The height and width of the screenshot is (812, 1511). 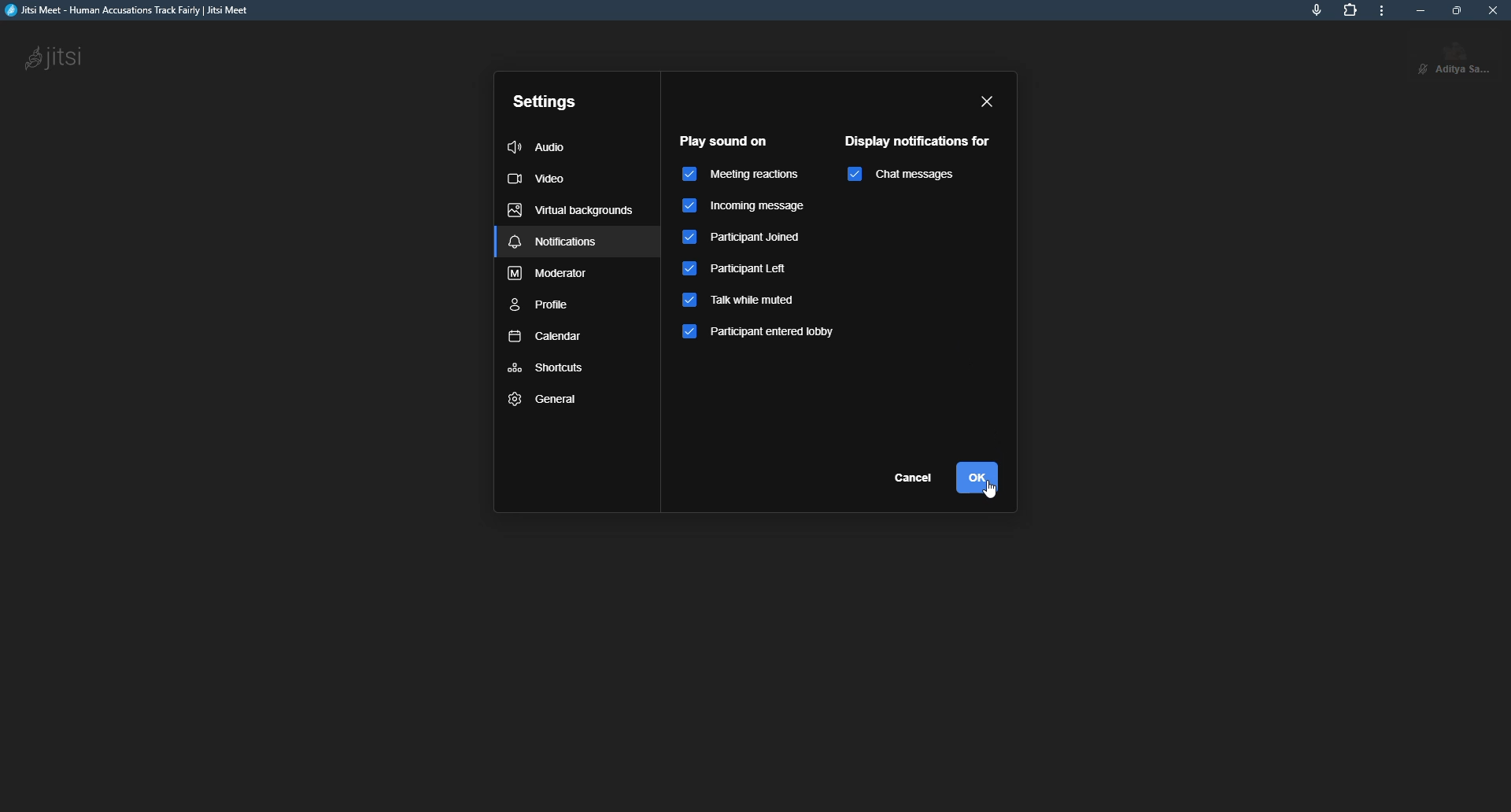 What do you see at coordinates (1465, 56) in the screenshot?
I see `profile` at bounding box center [1465, 56].